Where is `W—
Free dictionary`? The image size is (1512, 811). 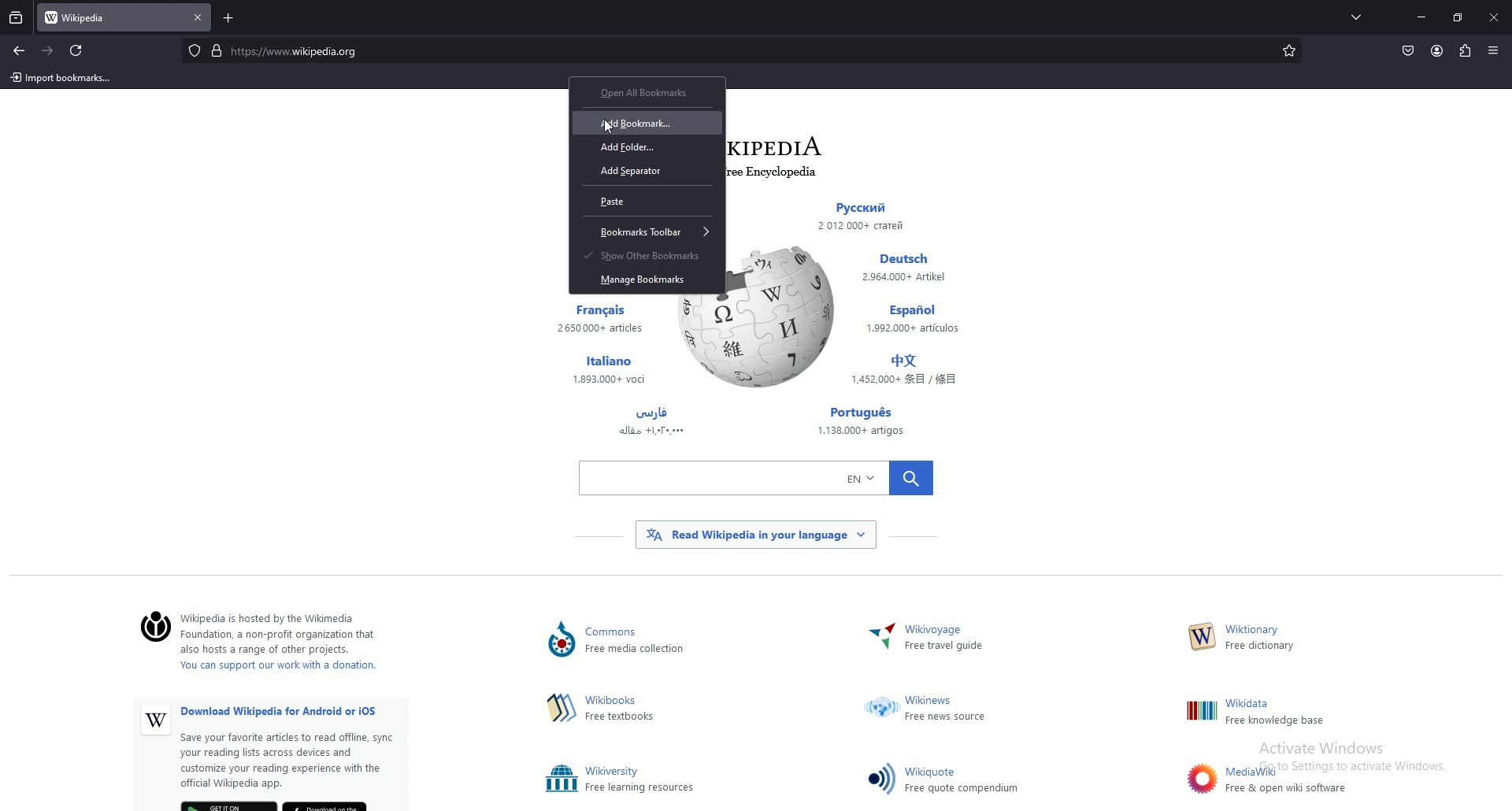 W—
Free dictionary is located at coordinates (1259, 639).